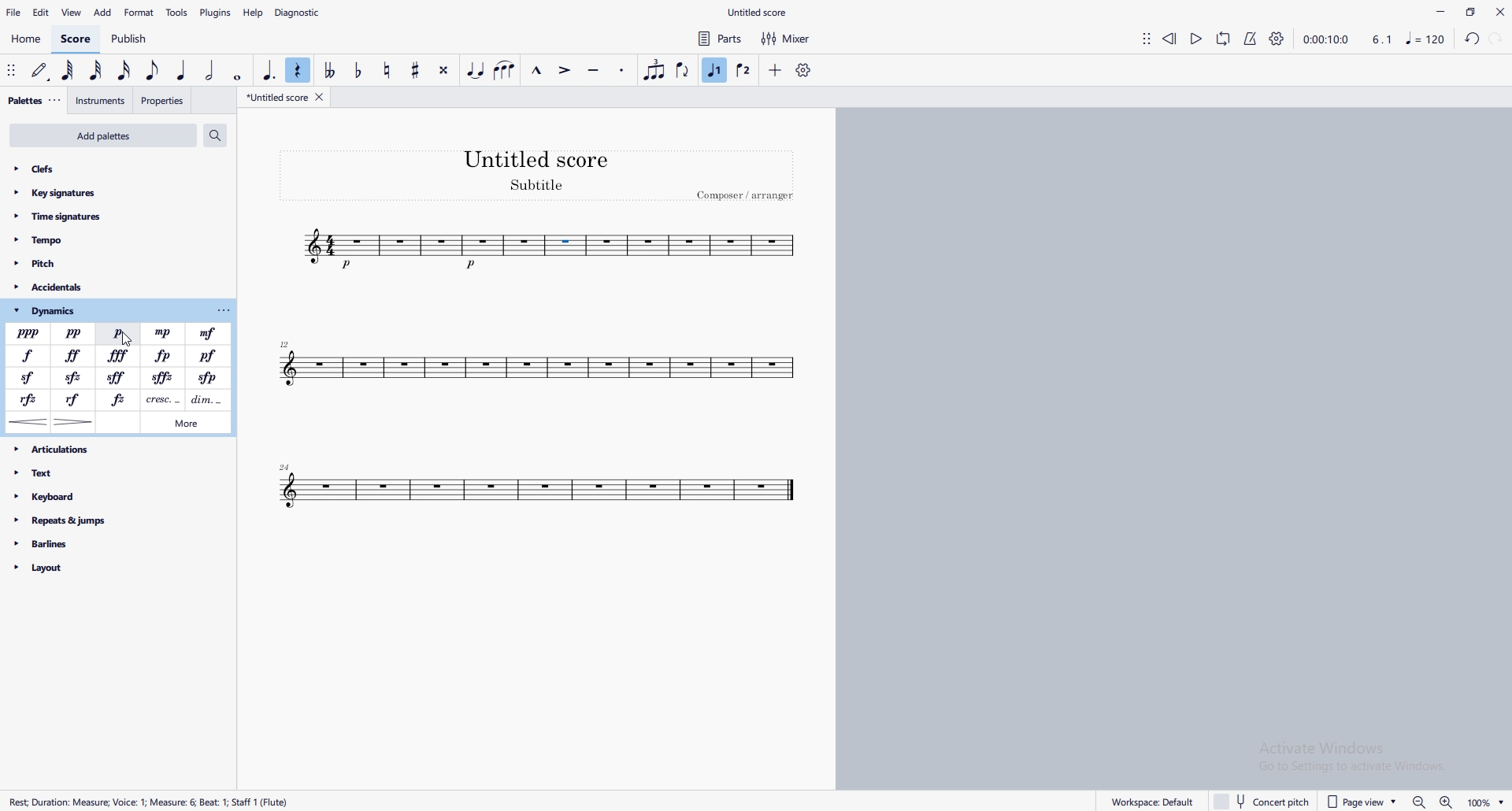 This screenshot has width=1512, height=811. What do you see at coordinates (538, 175) in the screenshot?
I see `heading` at bounding box center [538, 175].